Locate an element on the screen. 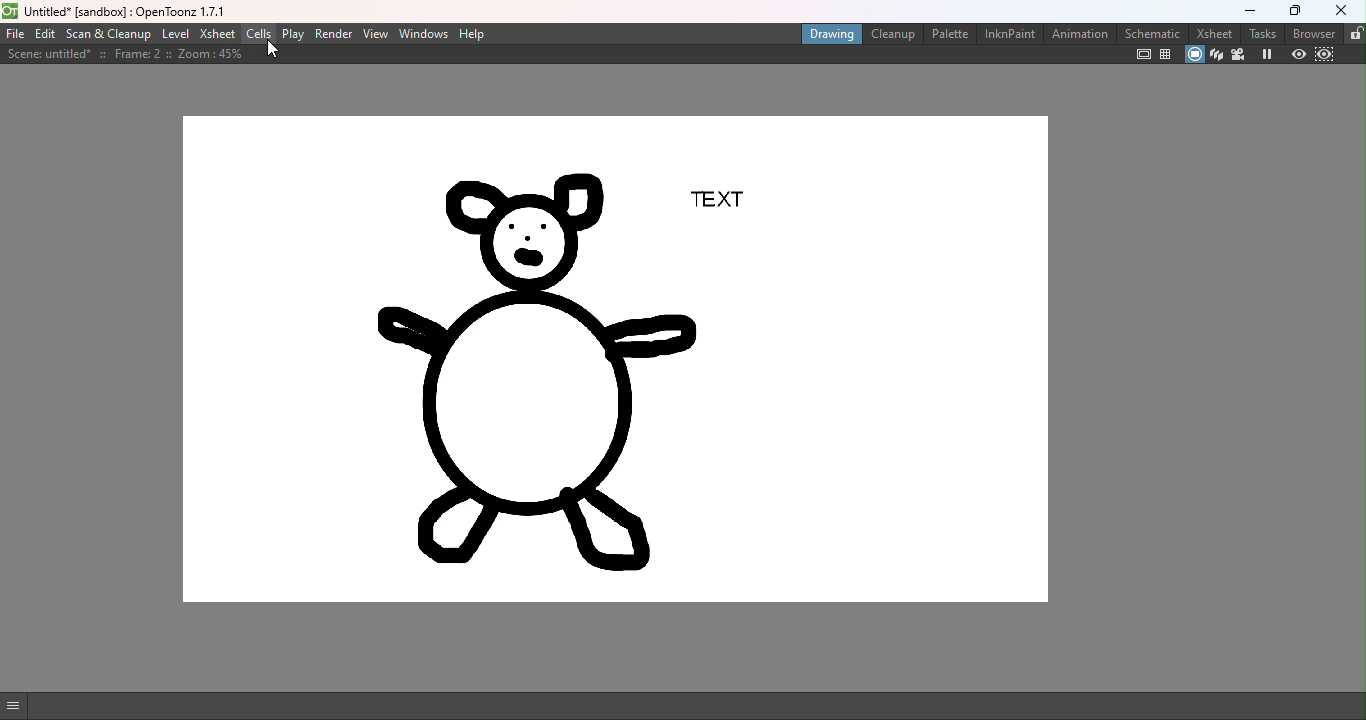 The image size is (1366, 720). browser is located at coordinates (1309, 34).